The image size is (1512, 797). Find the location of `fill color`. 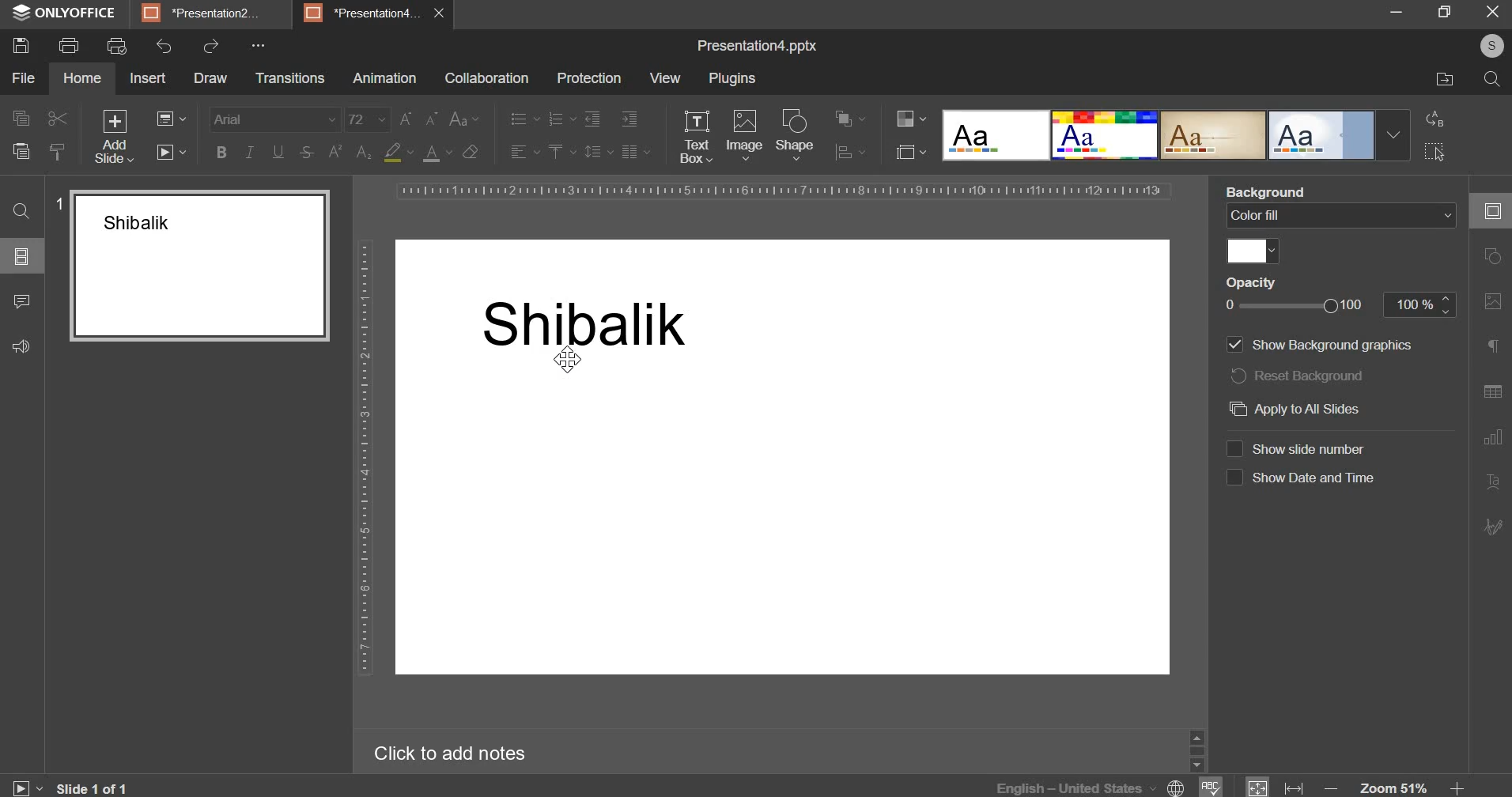

fill color is located at coordinates (1250, 252).